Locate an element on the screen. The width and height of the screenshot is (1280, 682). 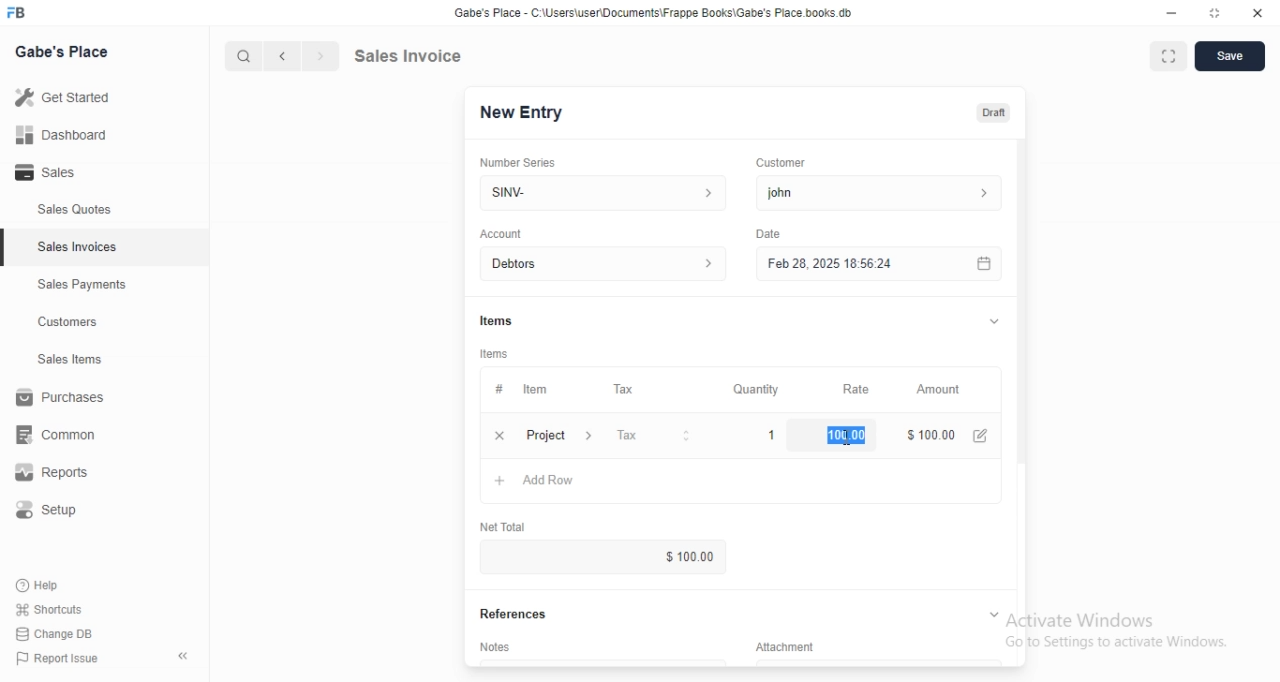
Save is located at coordinates (1230, 57).